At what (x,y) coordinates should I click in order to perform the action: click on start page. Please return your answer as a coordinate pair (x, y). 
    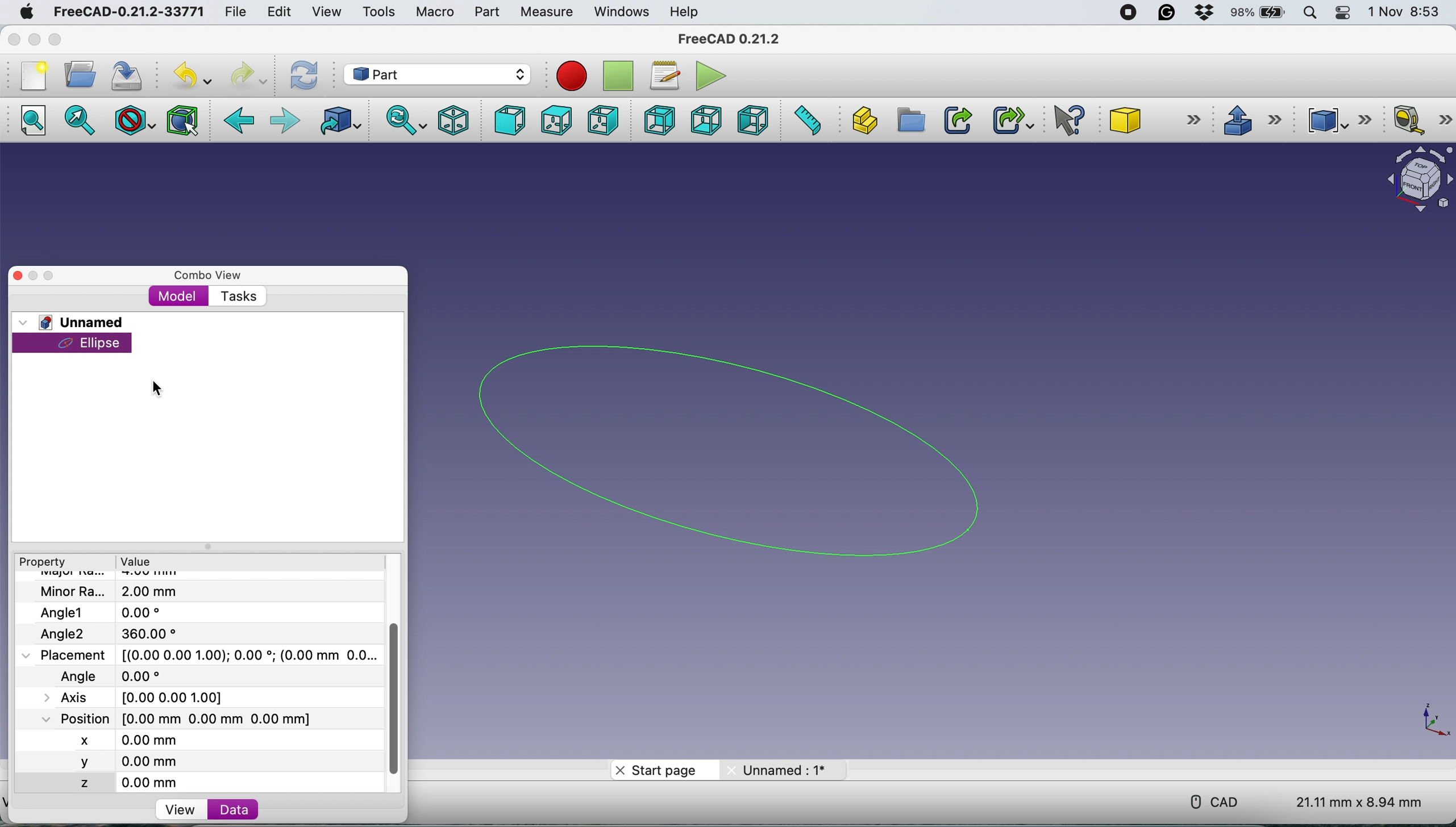
    Looking at the image, I should click on (660, 770).